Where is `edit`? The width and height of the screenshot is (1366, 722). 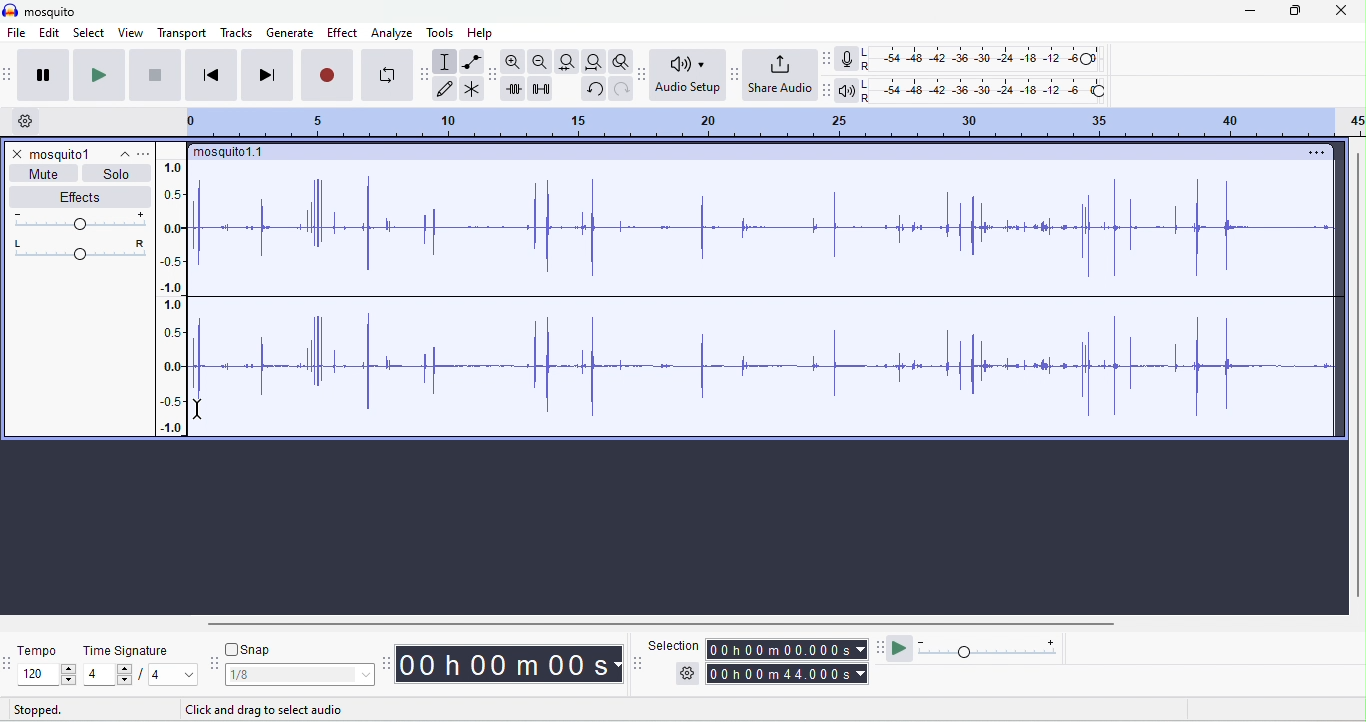 edit is located at coordinates (49, 34).